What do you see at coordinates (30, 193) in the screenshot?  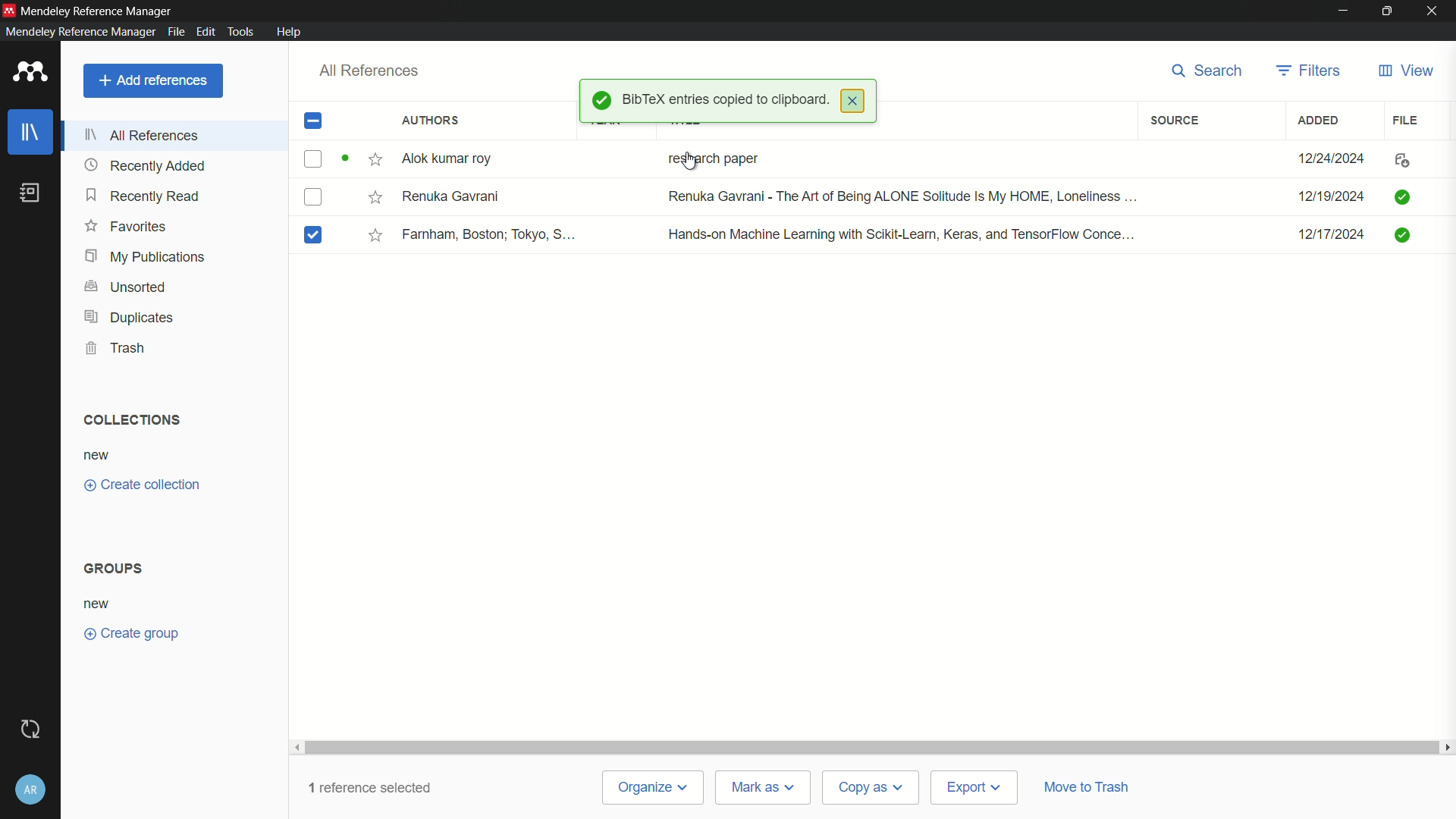 I see `book` at bounding box center [30, 193].